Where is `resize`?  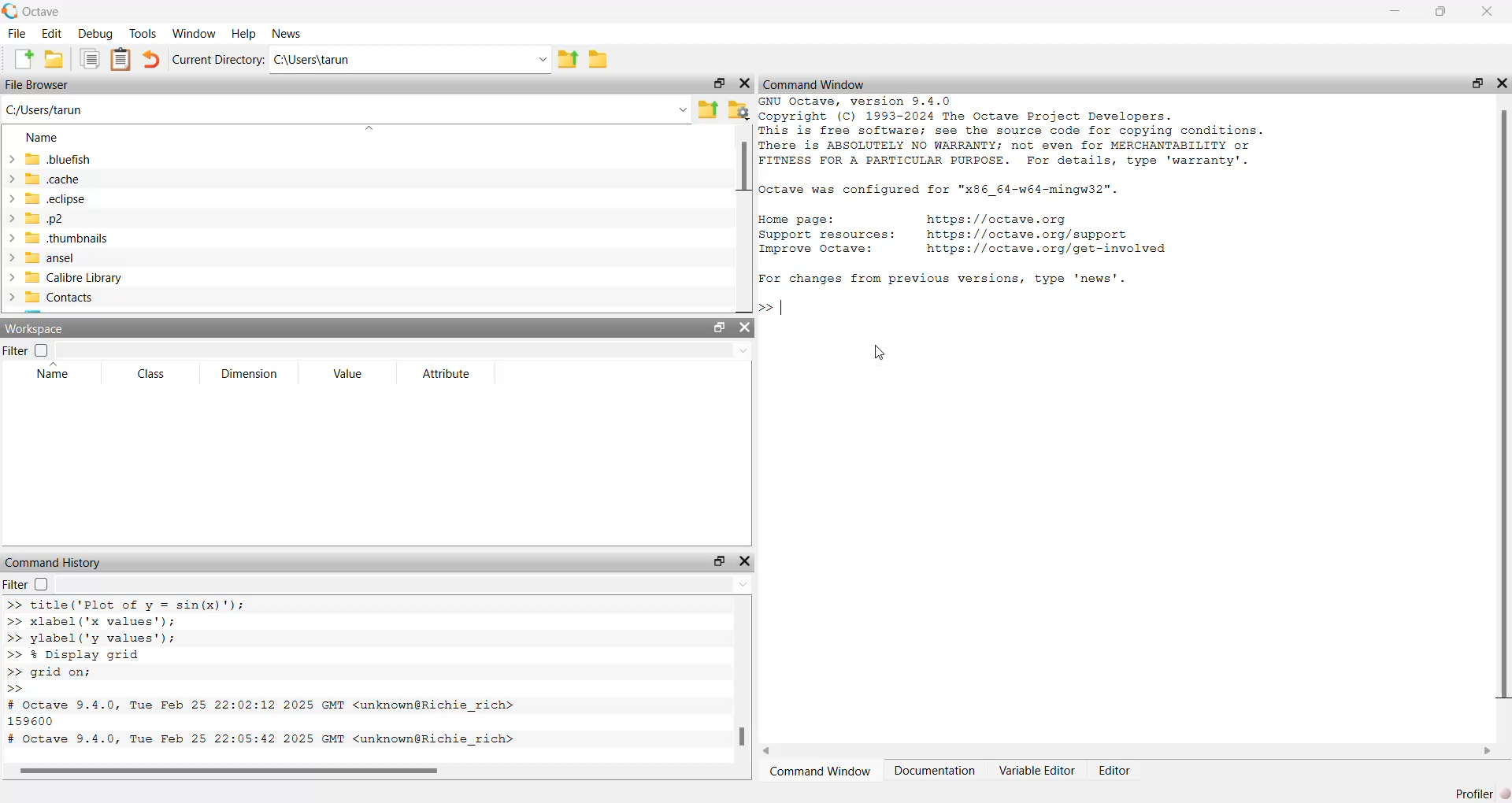
resize is located at coordinates (720, 327).